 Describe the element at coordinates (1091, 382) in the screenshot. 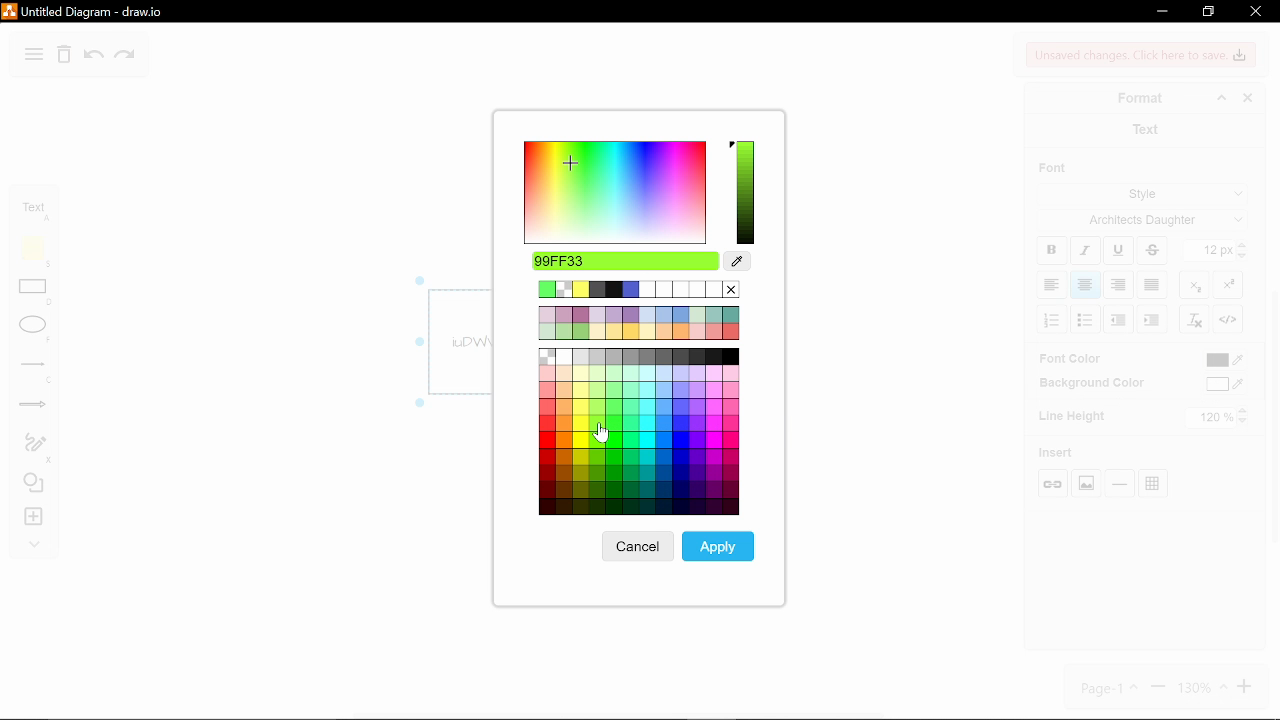

I see `background color` at that location.